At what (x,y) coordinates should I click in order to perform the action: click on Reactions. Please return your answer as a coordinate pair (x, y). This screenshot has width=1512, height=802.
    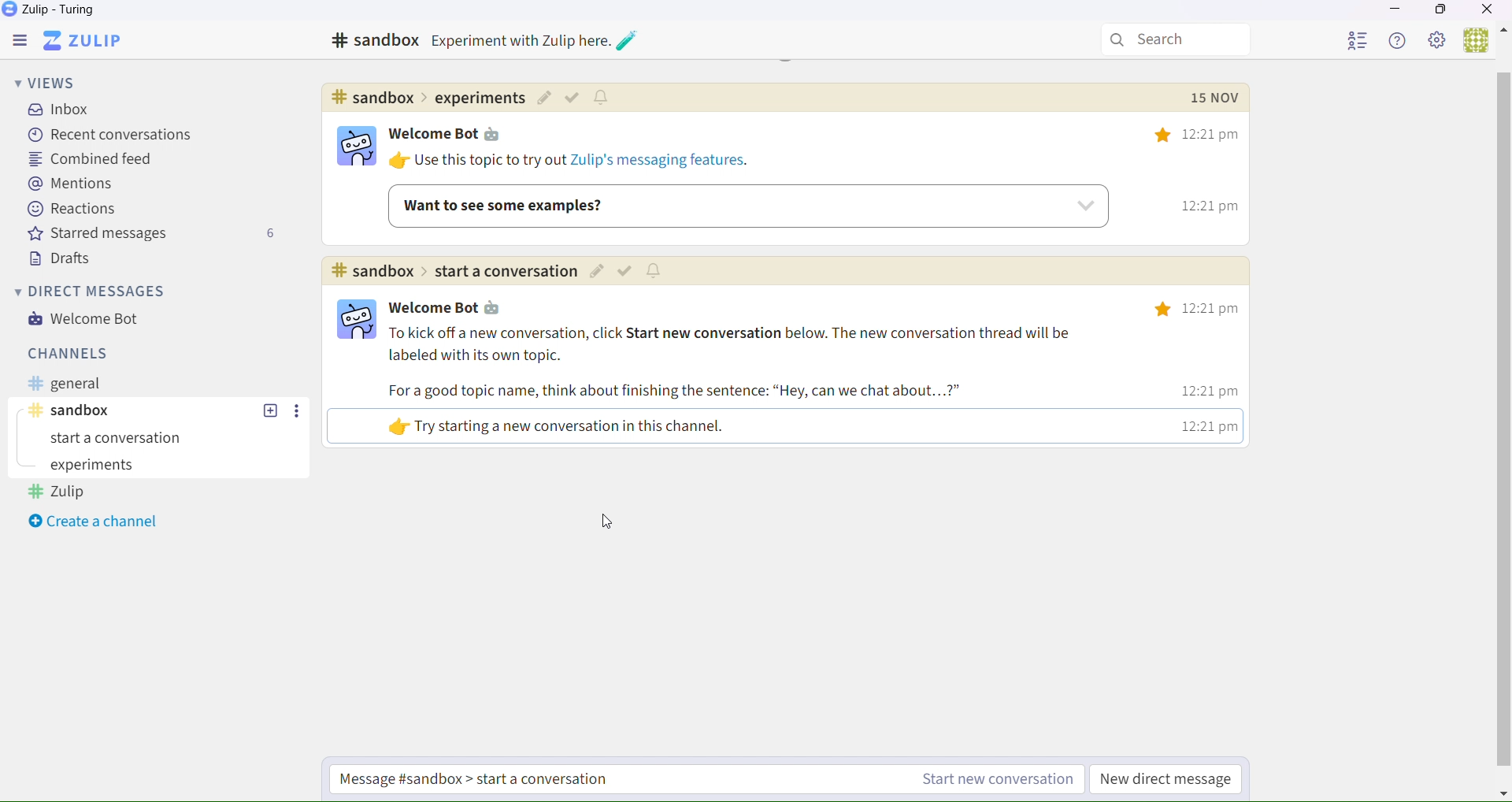
    Looking at the image, I should click on (73, 211).